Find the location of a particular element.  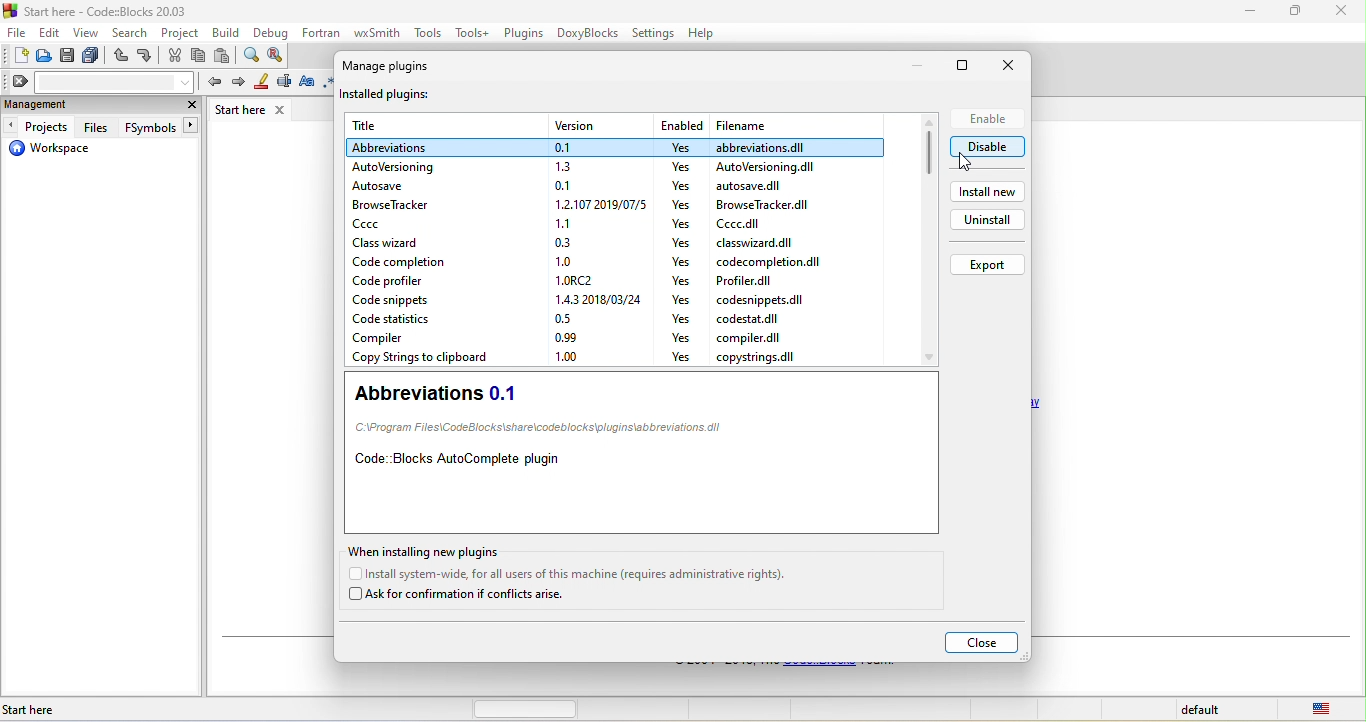

fsymbols is located at coordinates (158, 126).